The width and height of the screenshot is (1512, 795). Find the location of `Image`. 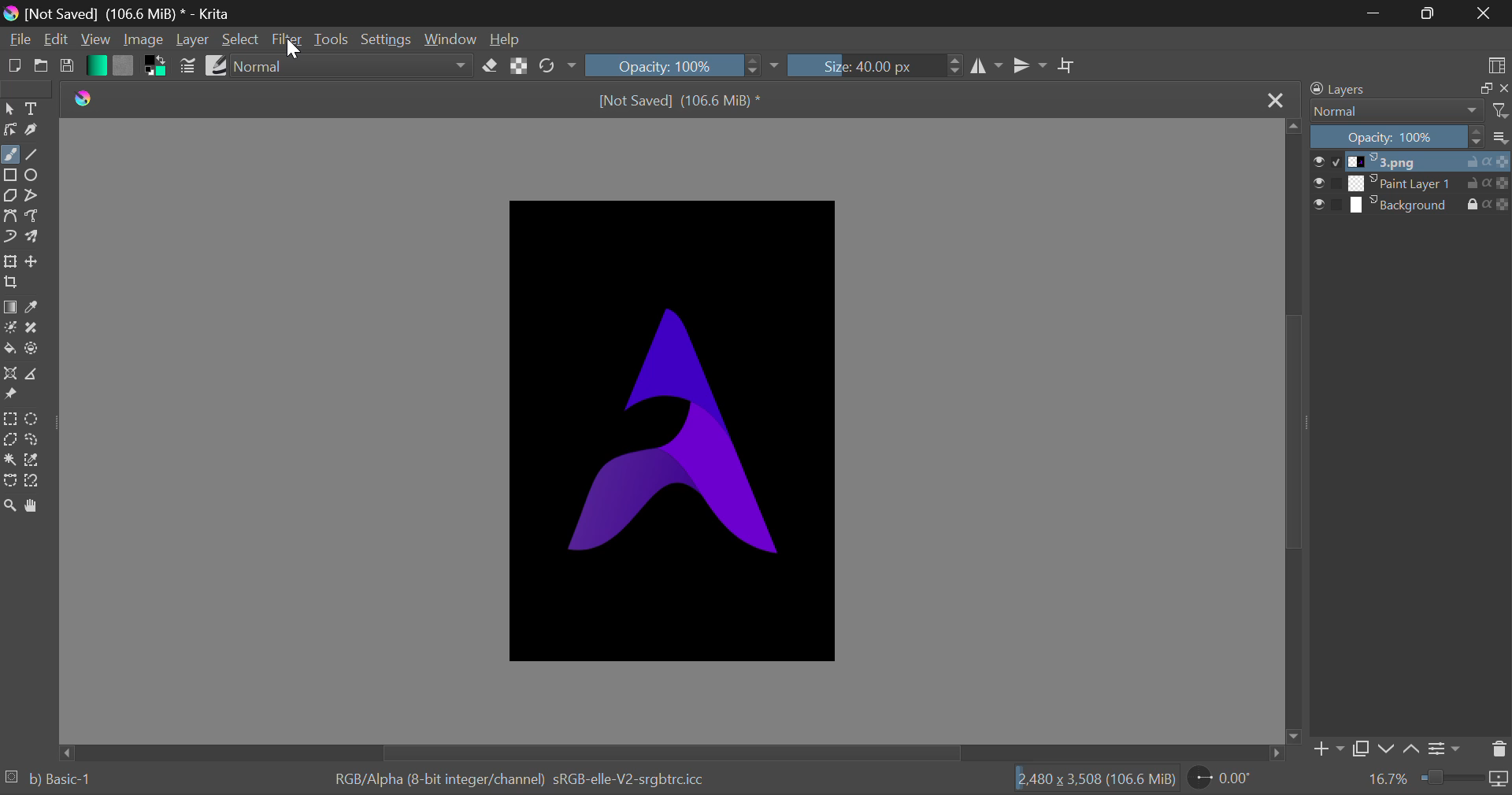

Image is located at coordinates (140, 39).